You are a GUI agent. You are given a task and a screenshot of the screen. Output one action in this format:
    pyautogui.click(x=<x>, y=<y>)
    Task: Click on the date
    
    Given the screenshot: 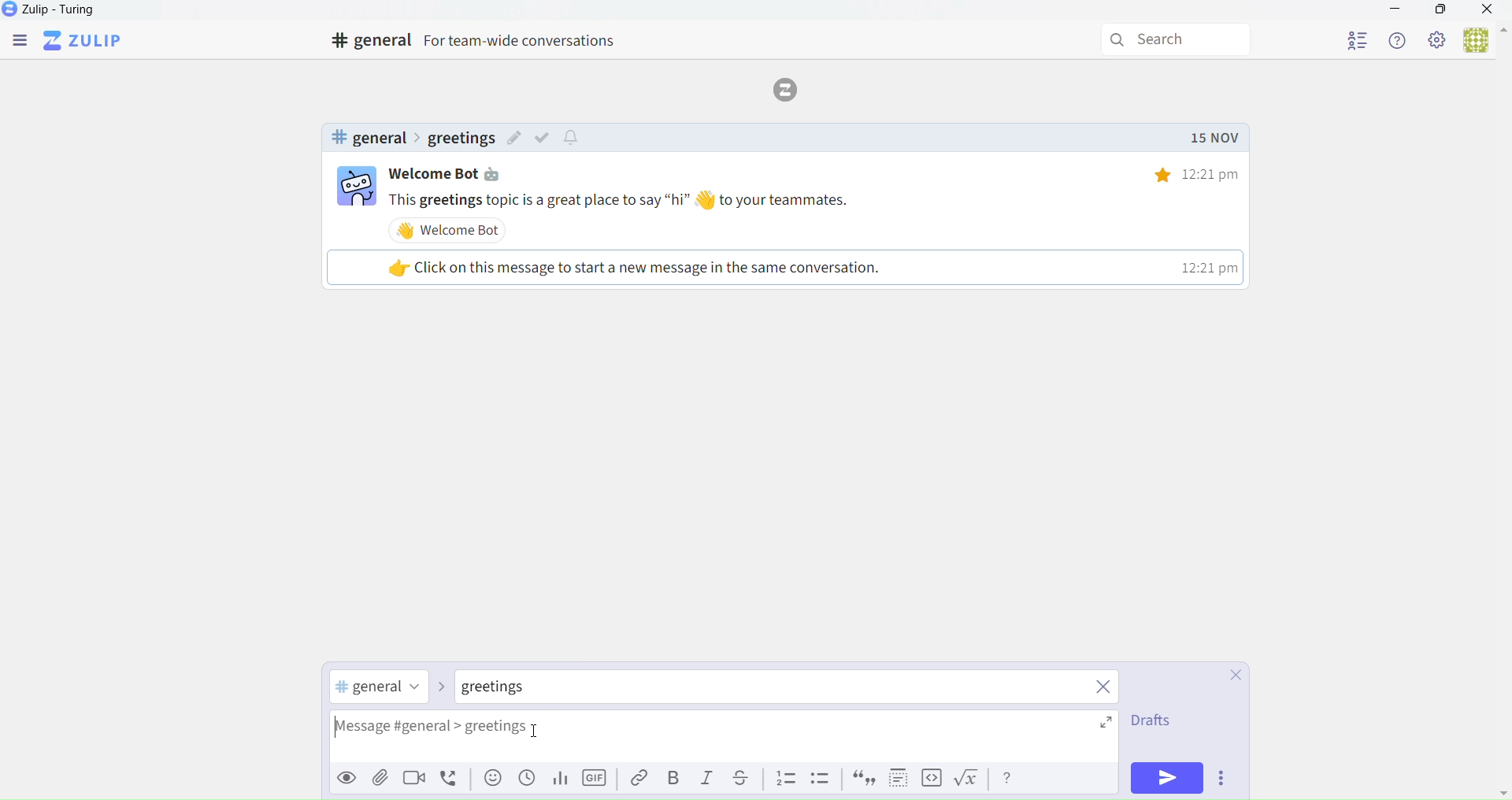 What is the action you would take?
    pyautogui.click(x=1214, y=139)
    